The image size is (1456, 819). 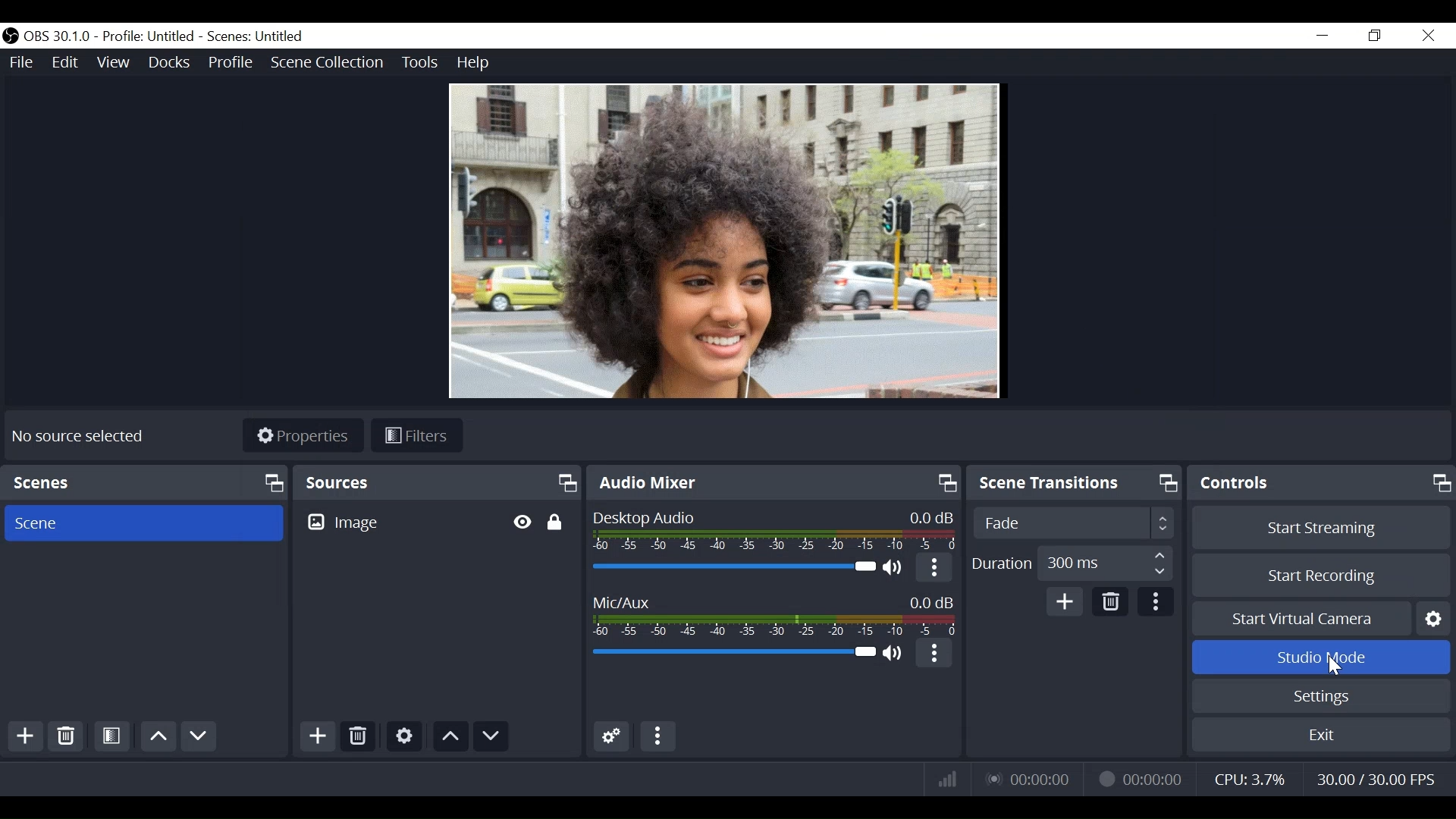 What do you see at coordinates (1432, 619) in the screenshot?
I see `Settings` at bounding box center [1432, 619].